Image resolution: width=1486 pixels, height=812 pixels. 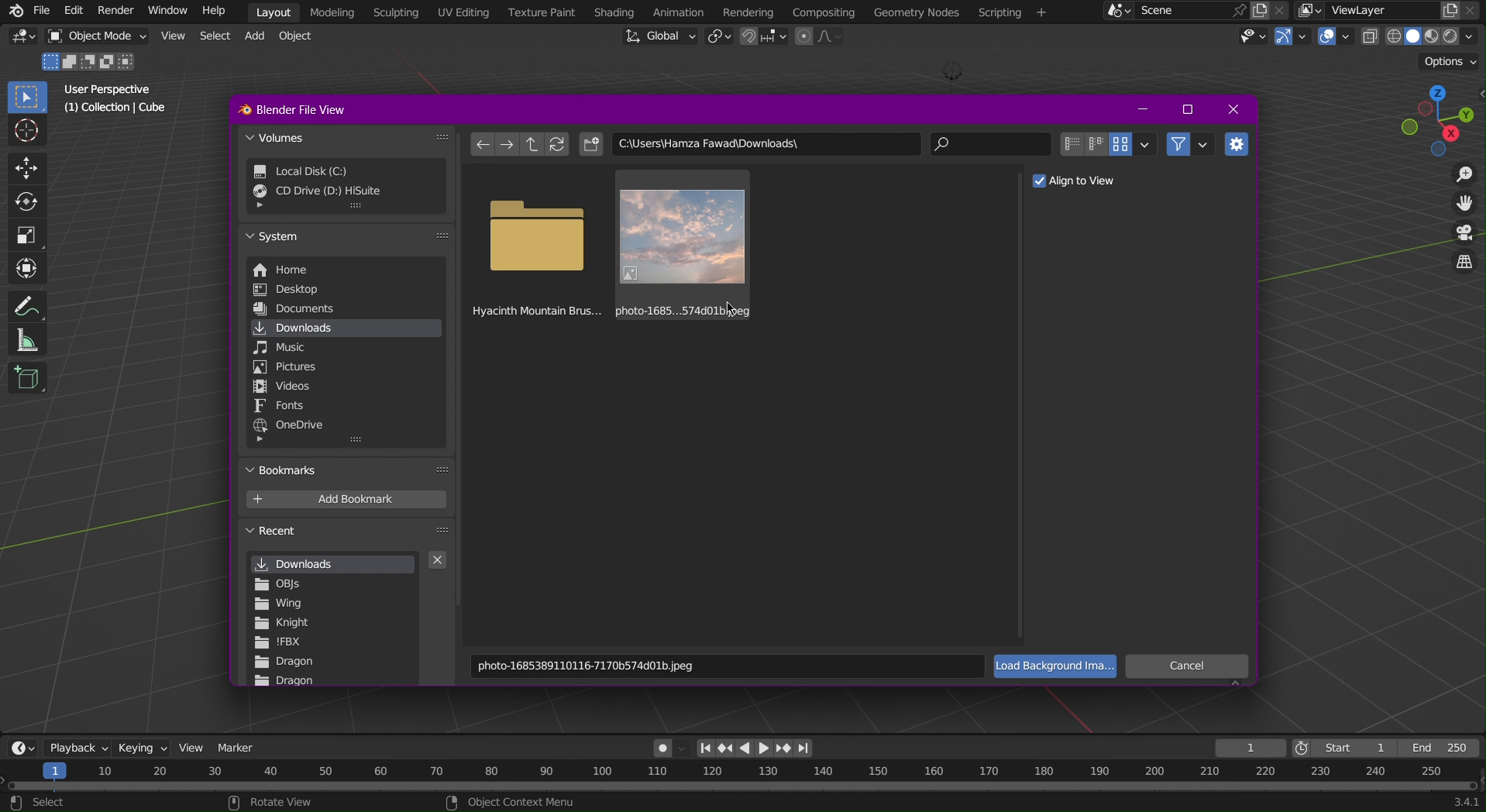 I want to click on Auto Keying, so click(x=662, y=747).